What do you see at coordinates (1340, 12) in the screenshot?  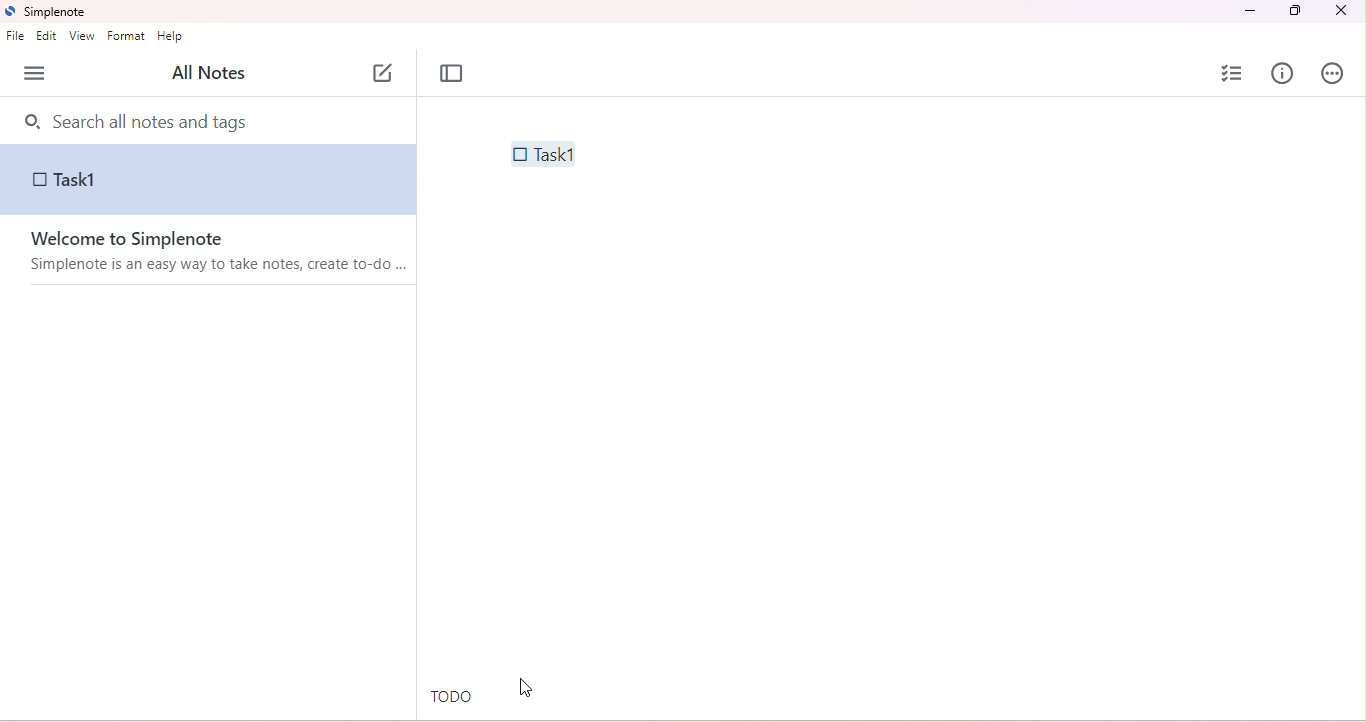 I see `close` at bounding box center [1340, 12].